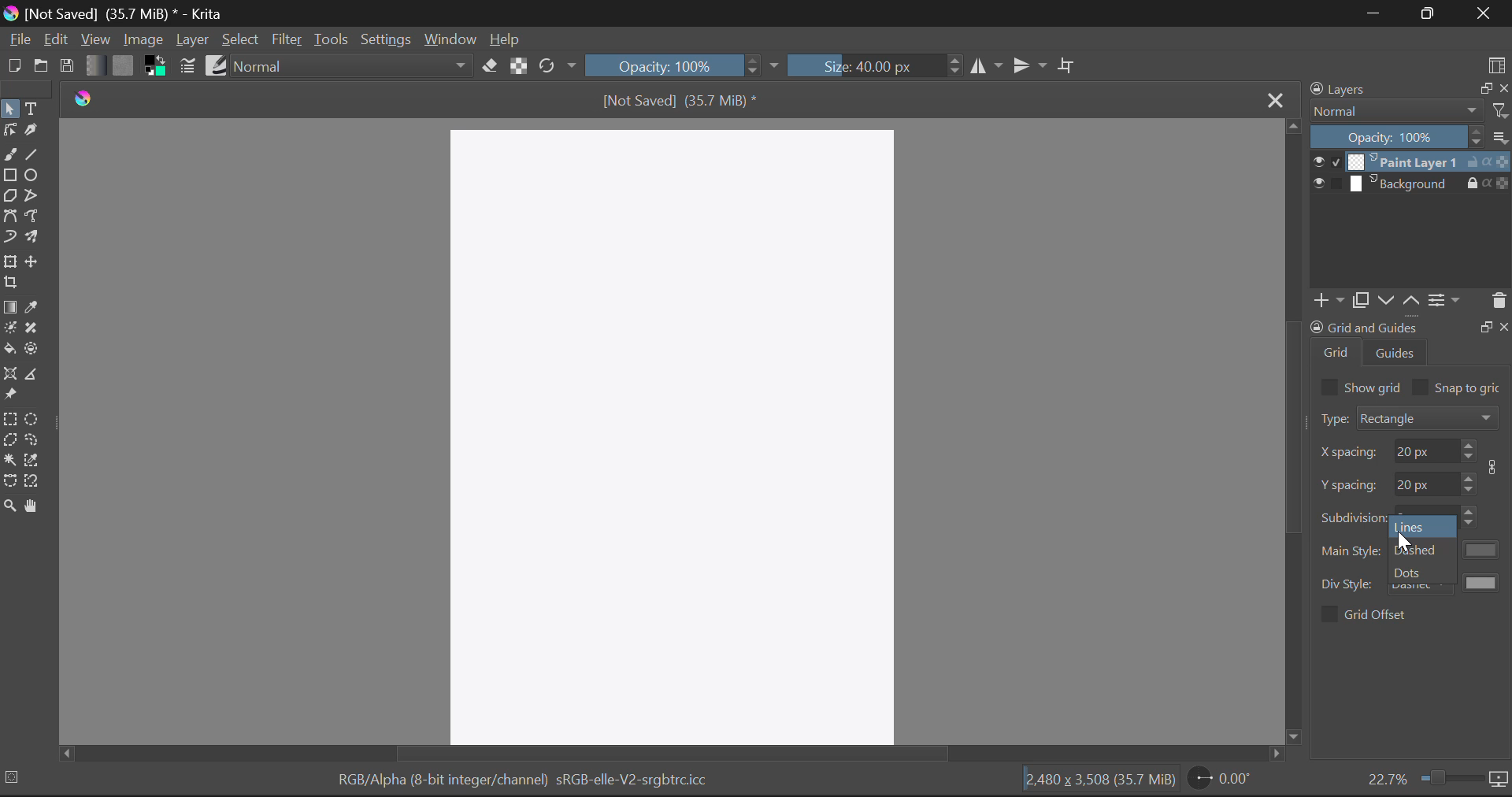 The image size is (1512, 797). Describe the element at coordinates (9, 308) in the screenshot. I see `Gradient Fill` at that location.